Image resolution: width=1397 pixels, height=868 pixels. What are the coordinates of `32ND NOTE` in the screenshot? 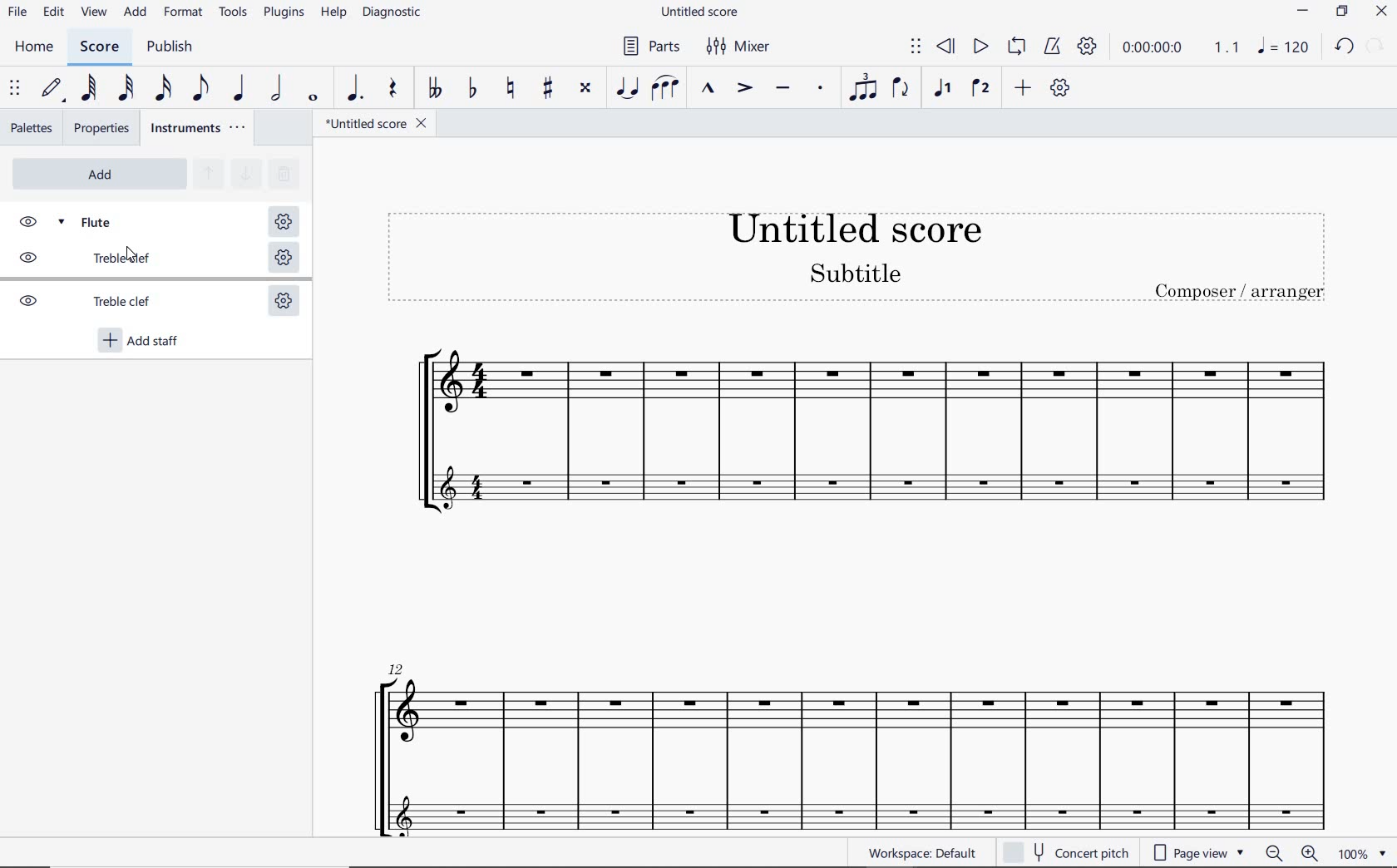 It's located at (126, 89).